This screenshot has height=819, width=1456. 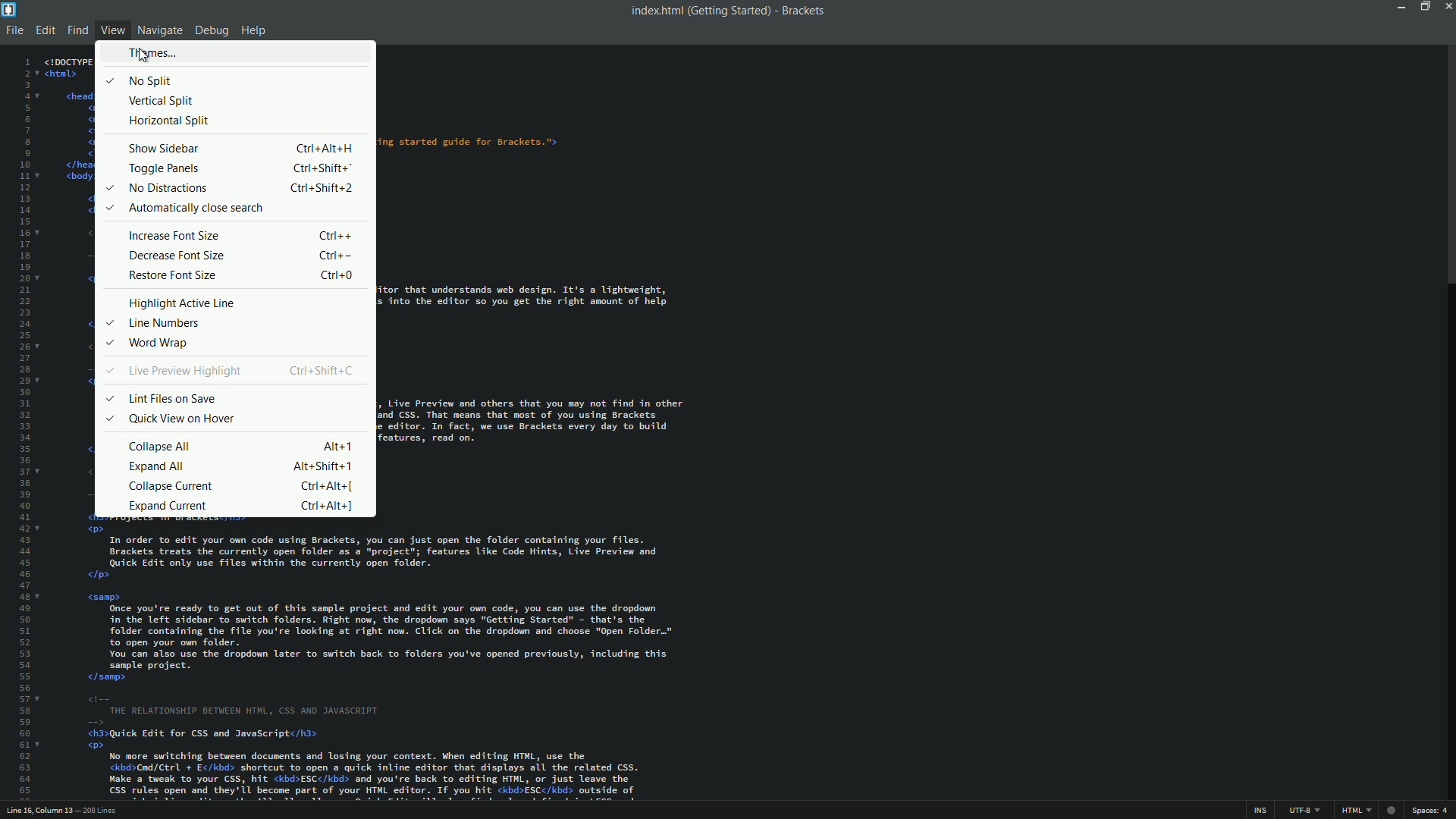 What do you see at coordinates (152, 81) in the screenshot?
I see `no split` at bounding box center [152, 81].